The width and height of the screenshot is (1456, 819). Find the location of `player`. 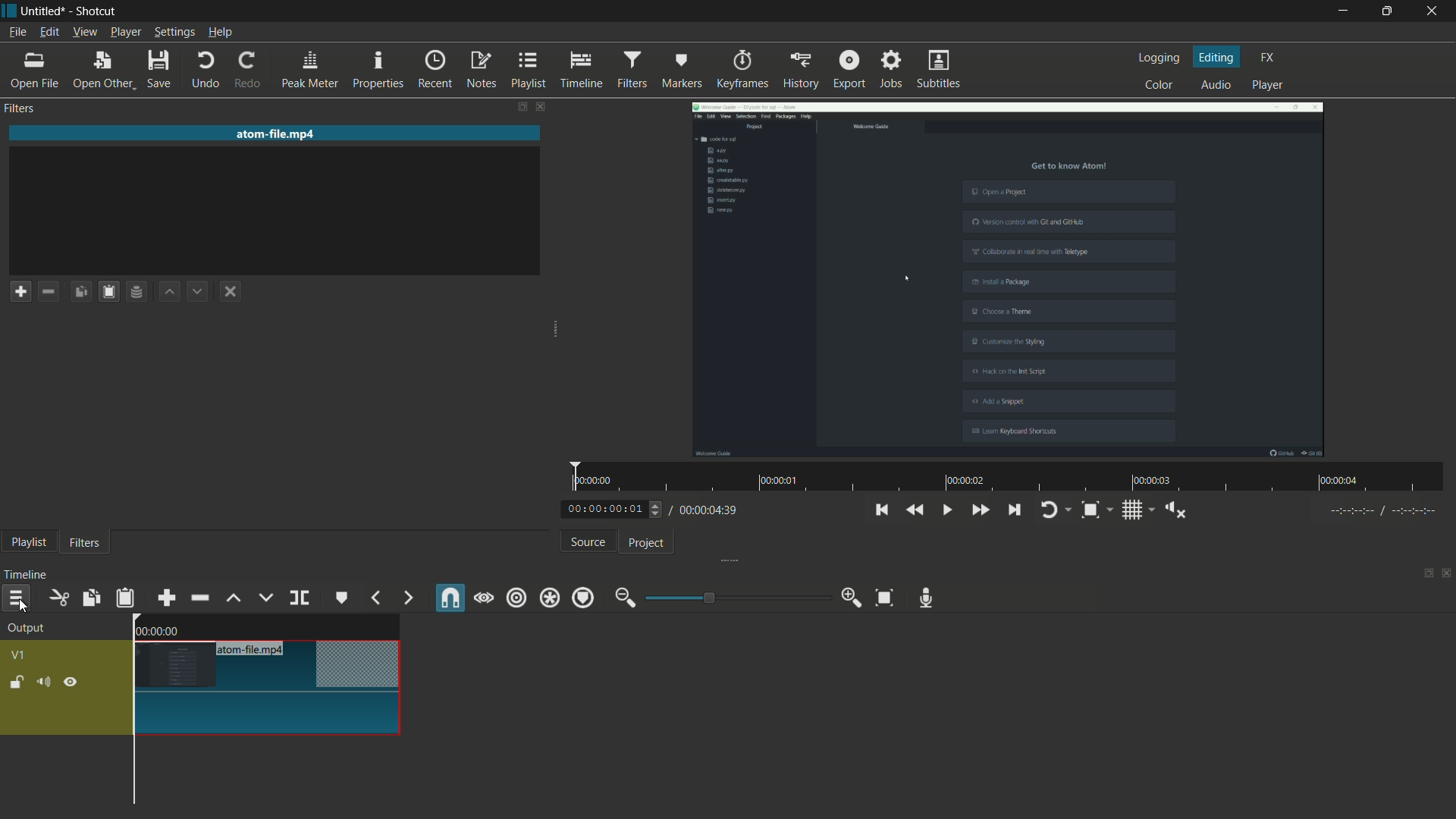

player is located at coordinates (1267, 85).